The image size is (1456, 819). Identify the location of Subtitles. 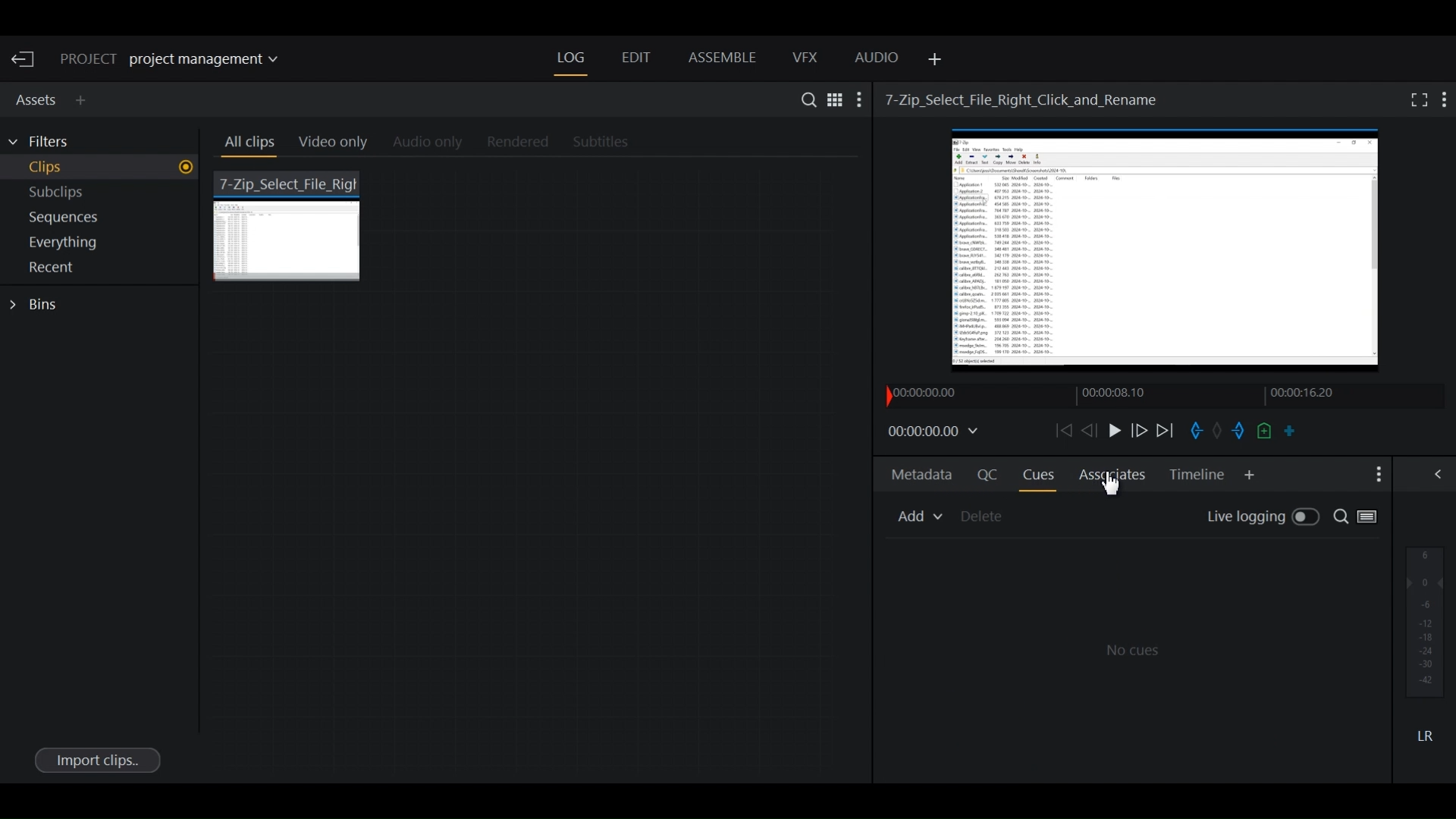
(610, 143).